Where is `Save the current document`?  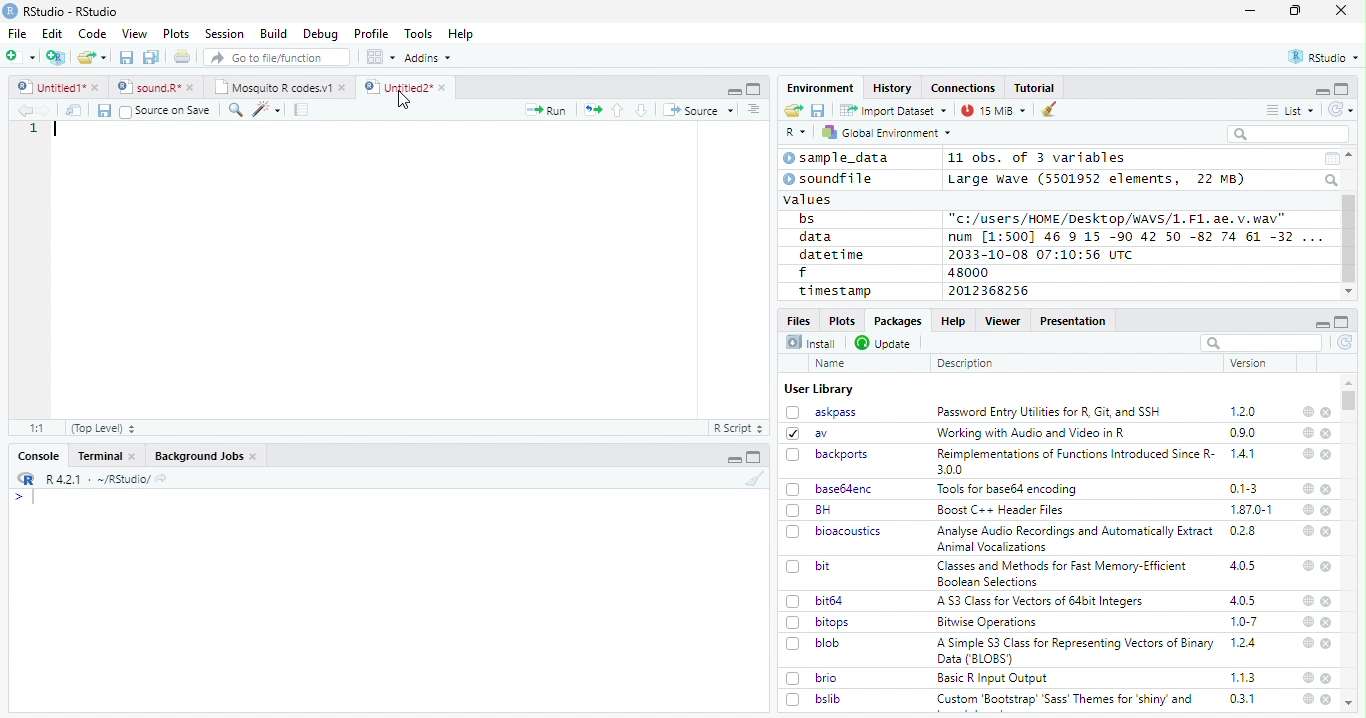 Save the current document is located at coordinates (127, 58).